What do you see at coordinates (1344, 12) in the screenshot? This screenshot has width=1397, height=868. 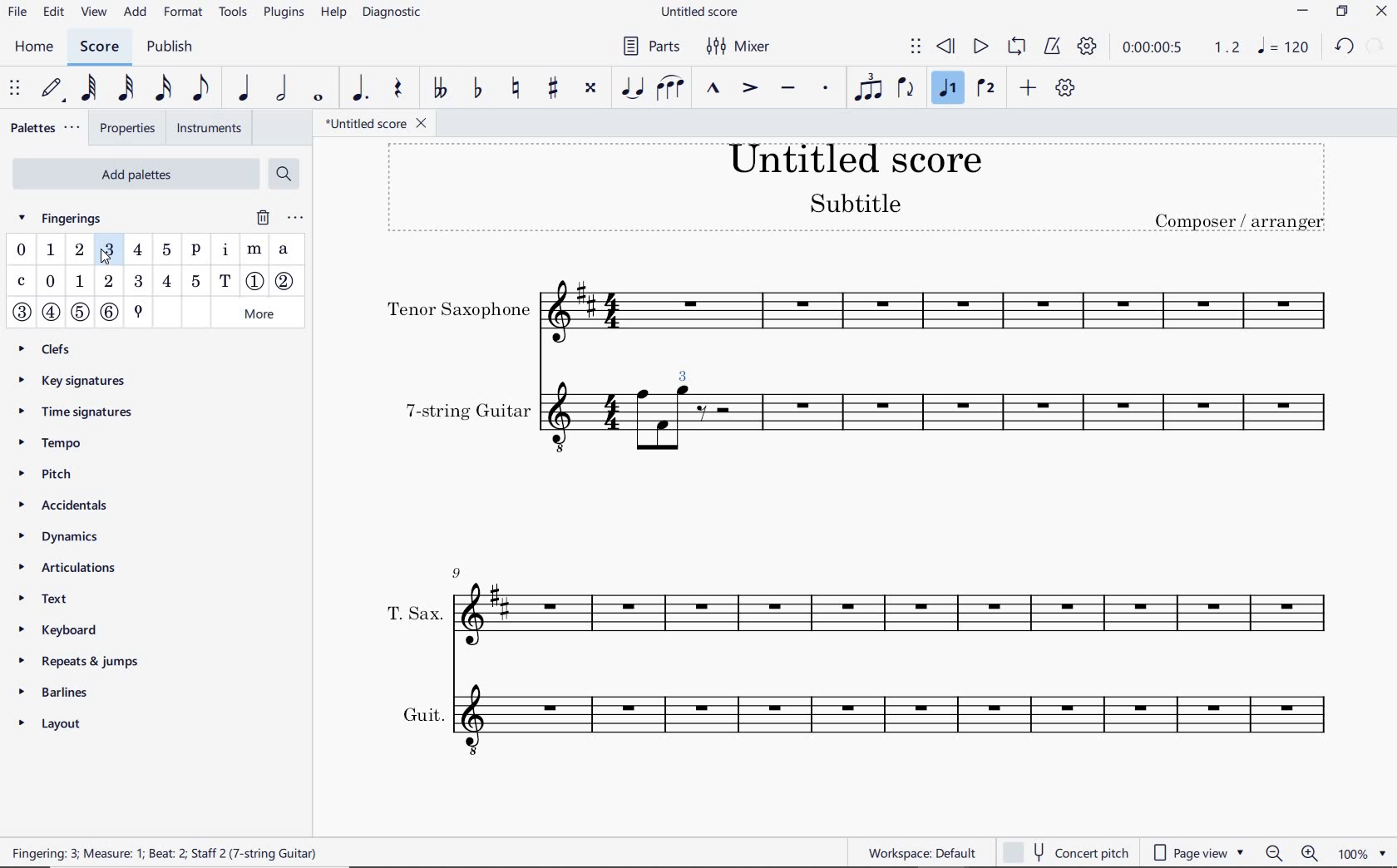 I see `RESTORE DOWN` at bounding box center [1344, 12].